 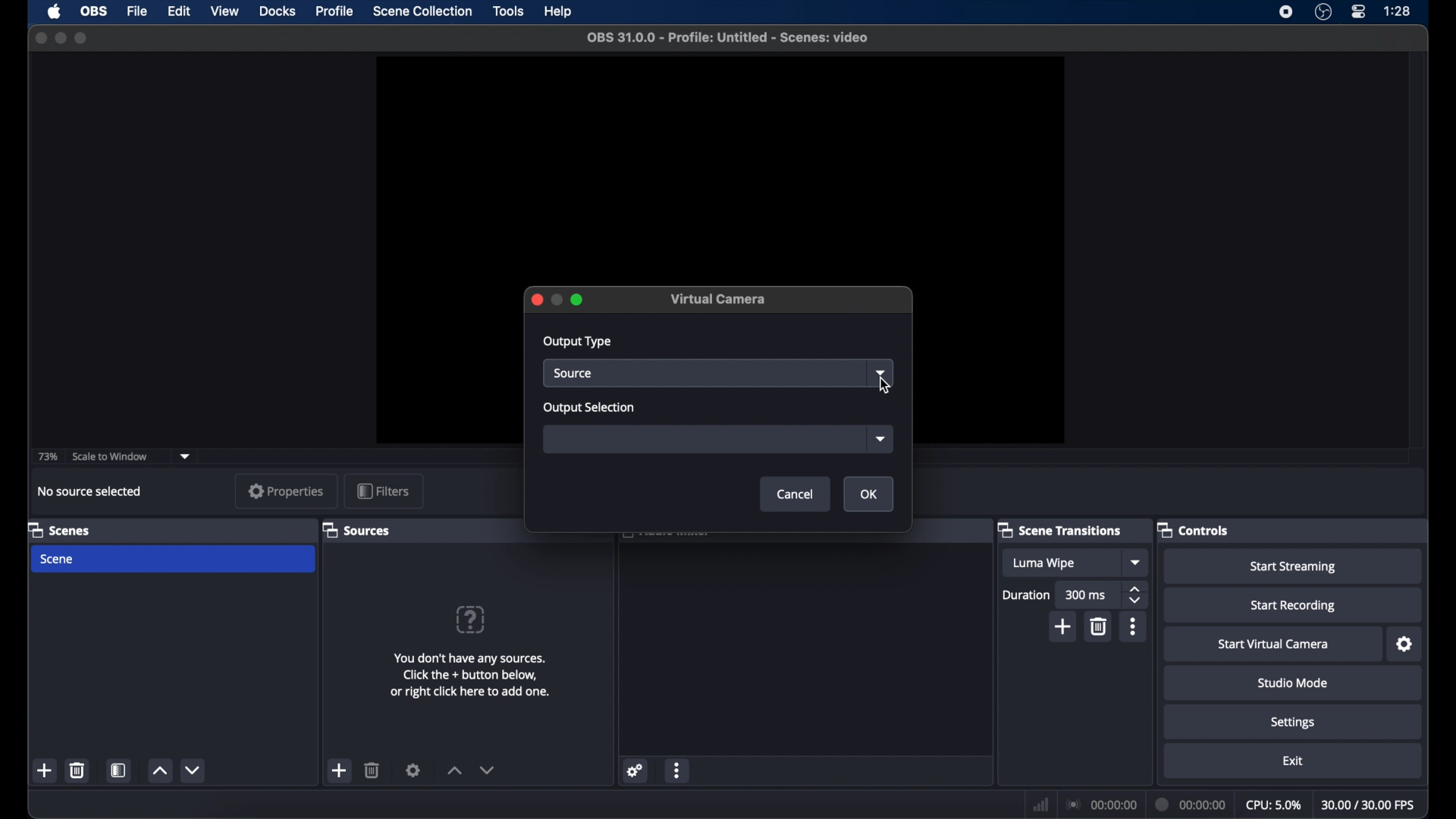 I want to click on output type, so click(x=579, y=342).